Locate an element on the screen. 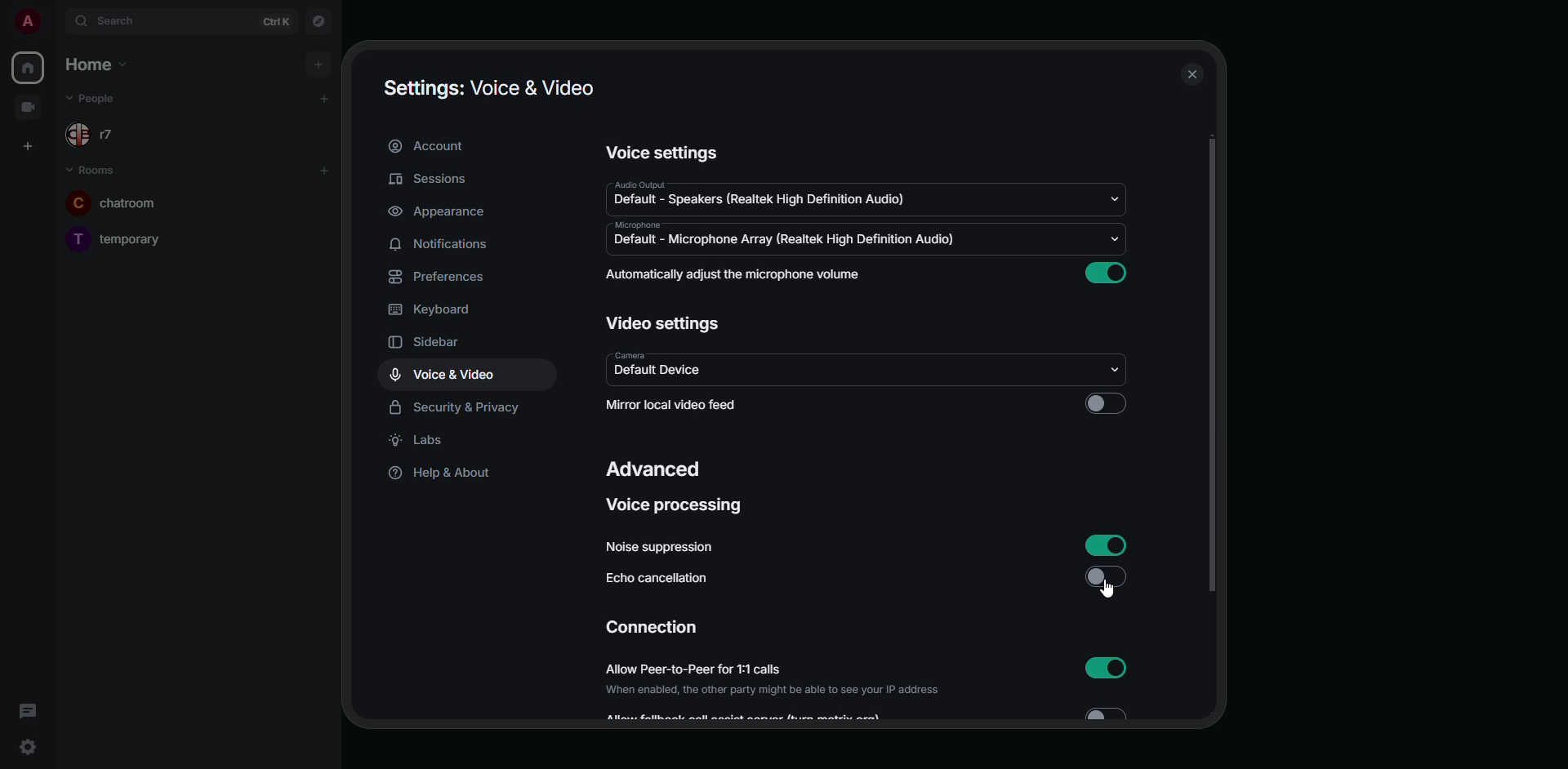 Image resolution: width=1568 pixels, height=769 pixels. disabled is located at coordinates (1108, 580).